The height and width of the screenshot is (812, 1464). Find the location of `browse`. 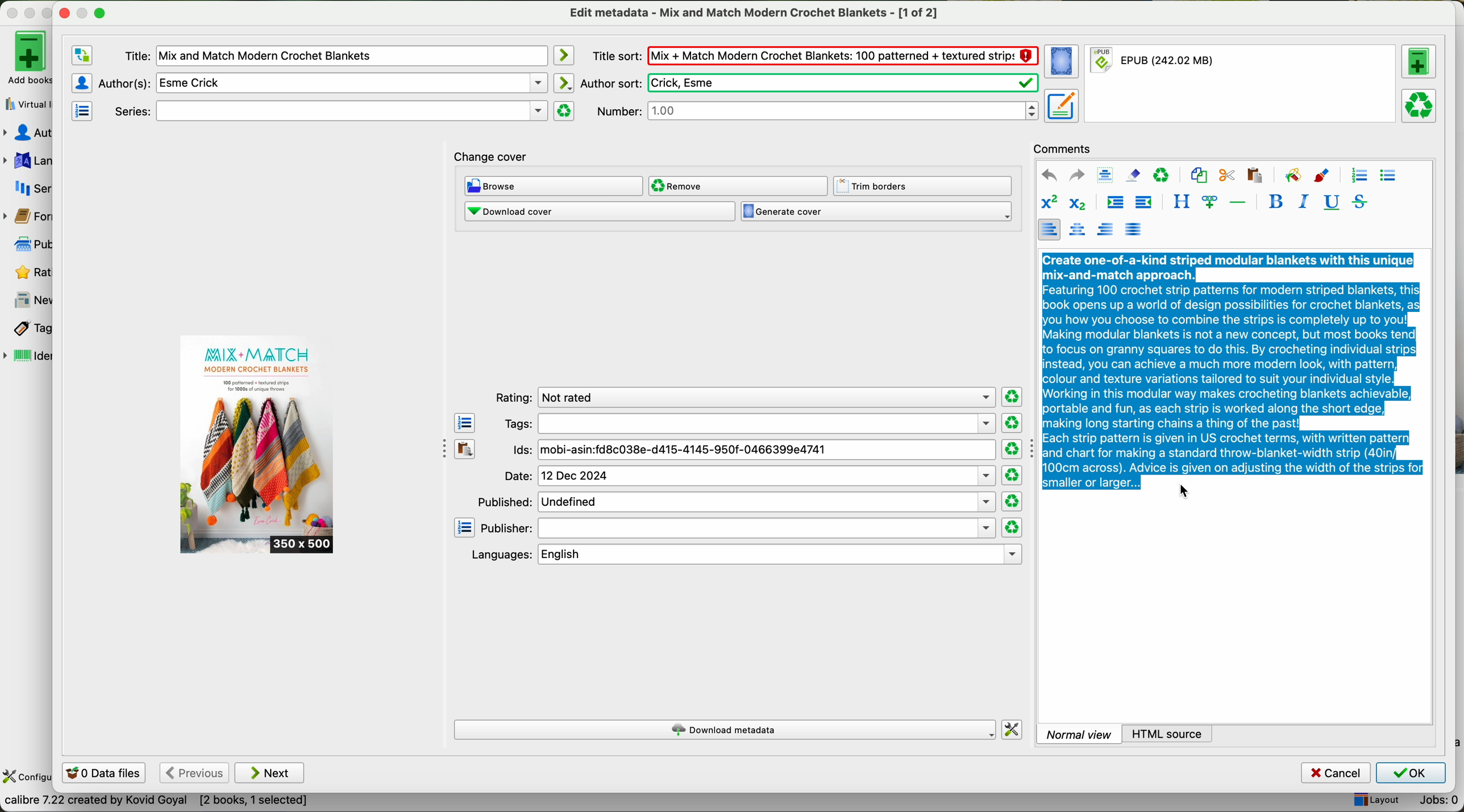

browse is located at coordinates (554, 187).